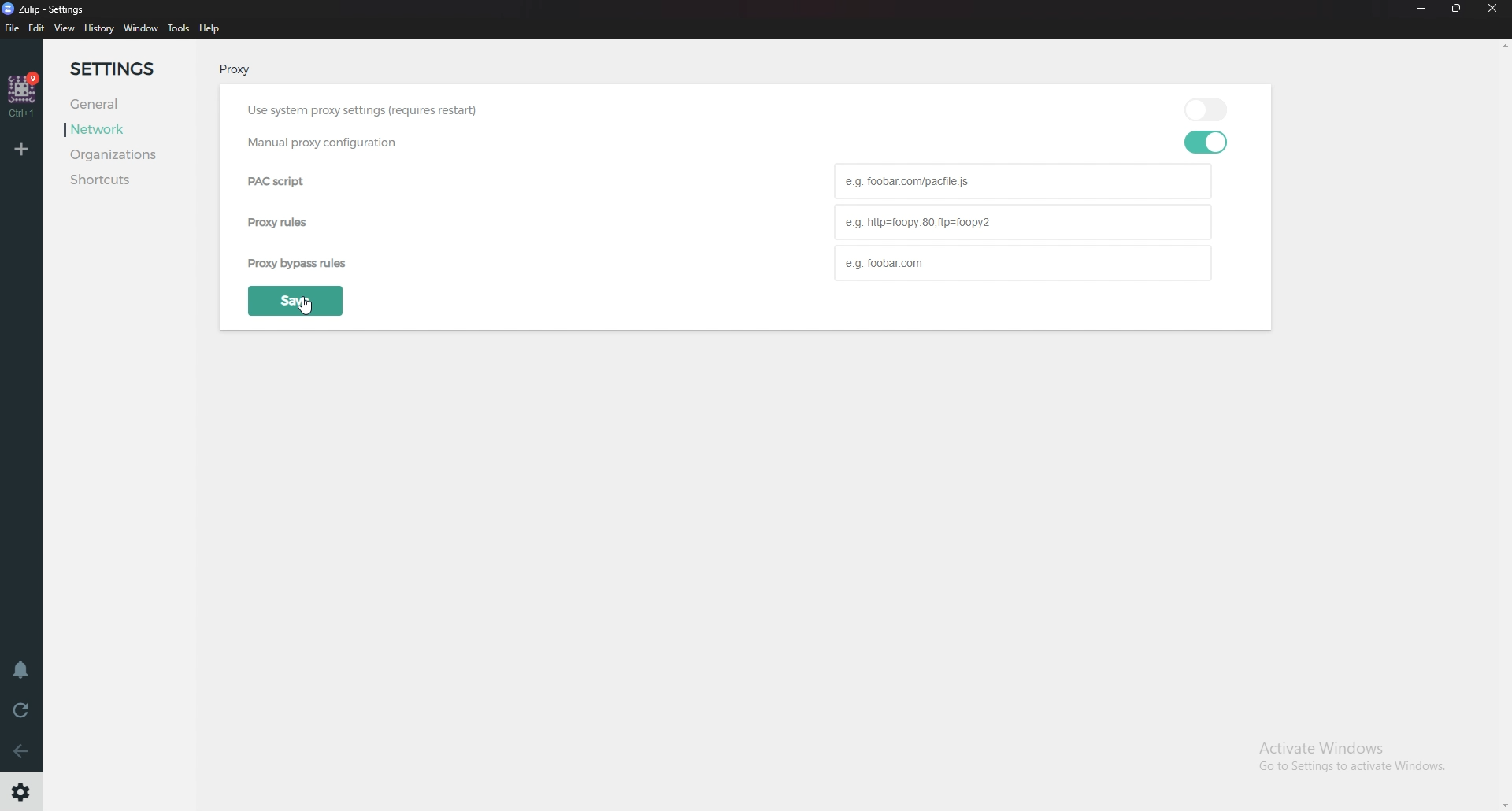  What do you see at coordinates (1023, 262) in the screenshot?
I see `Proxy bypass rules` at bounding box center [1023, 262].